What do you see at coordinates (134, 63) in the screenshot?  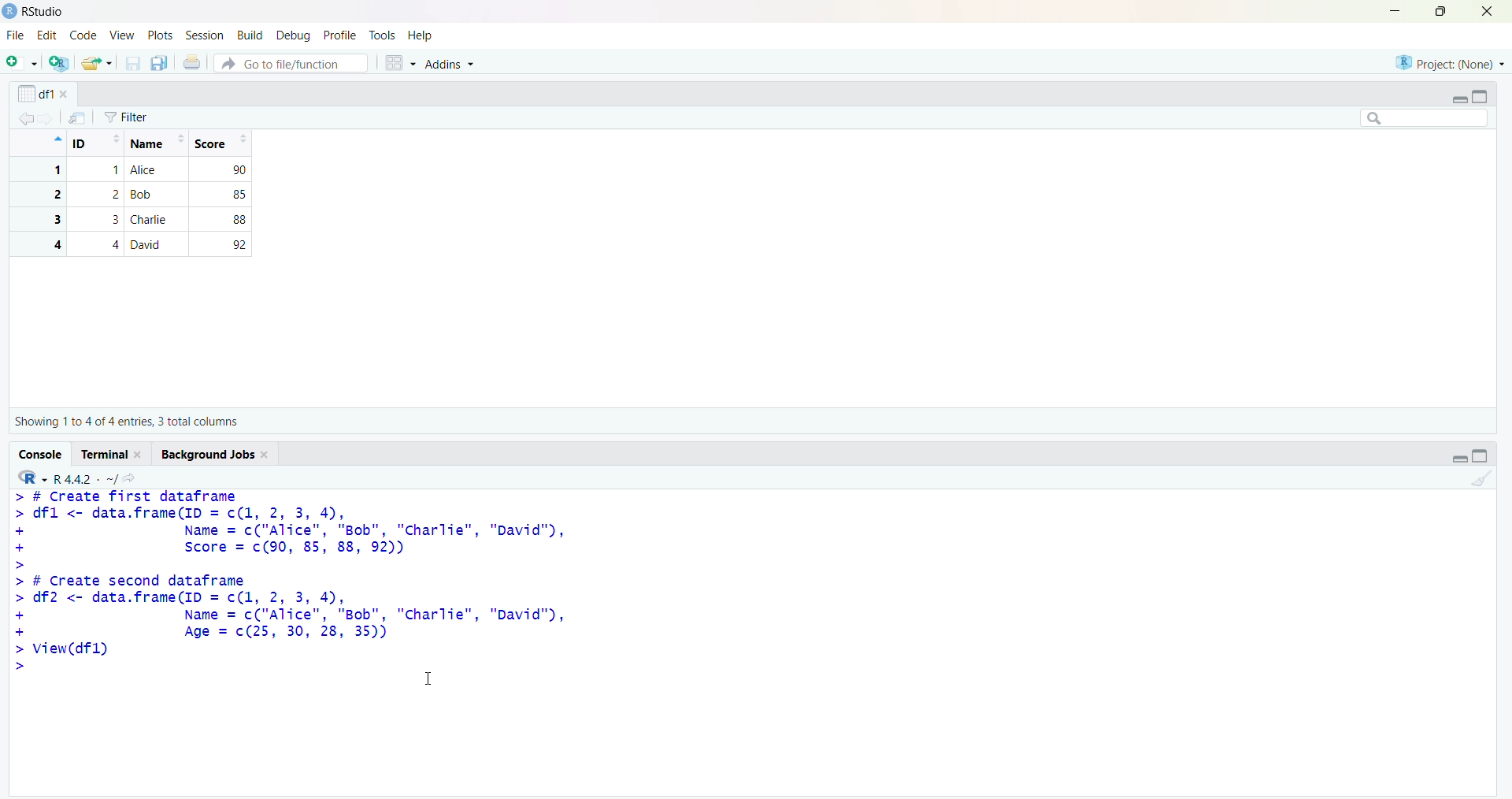 I see `save` at bounding box center [134, 63].